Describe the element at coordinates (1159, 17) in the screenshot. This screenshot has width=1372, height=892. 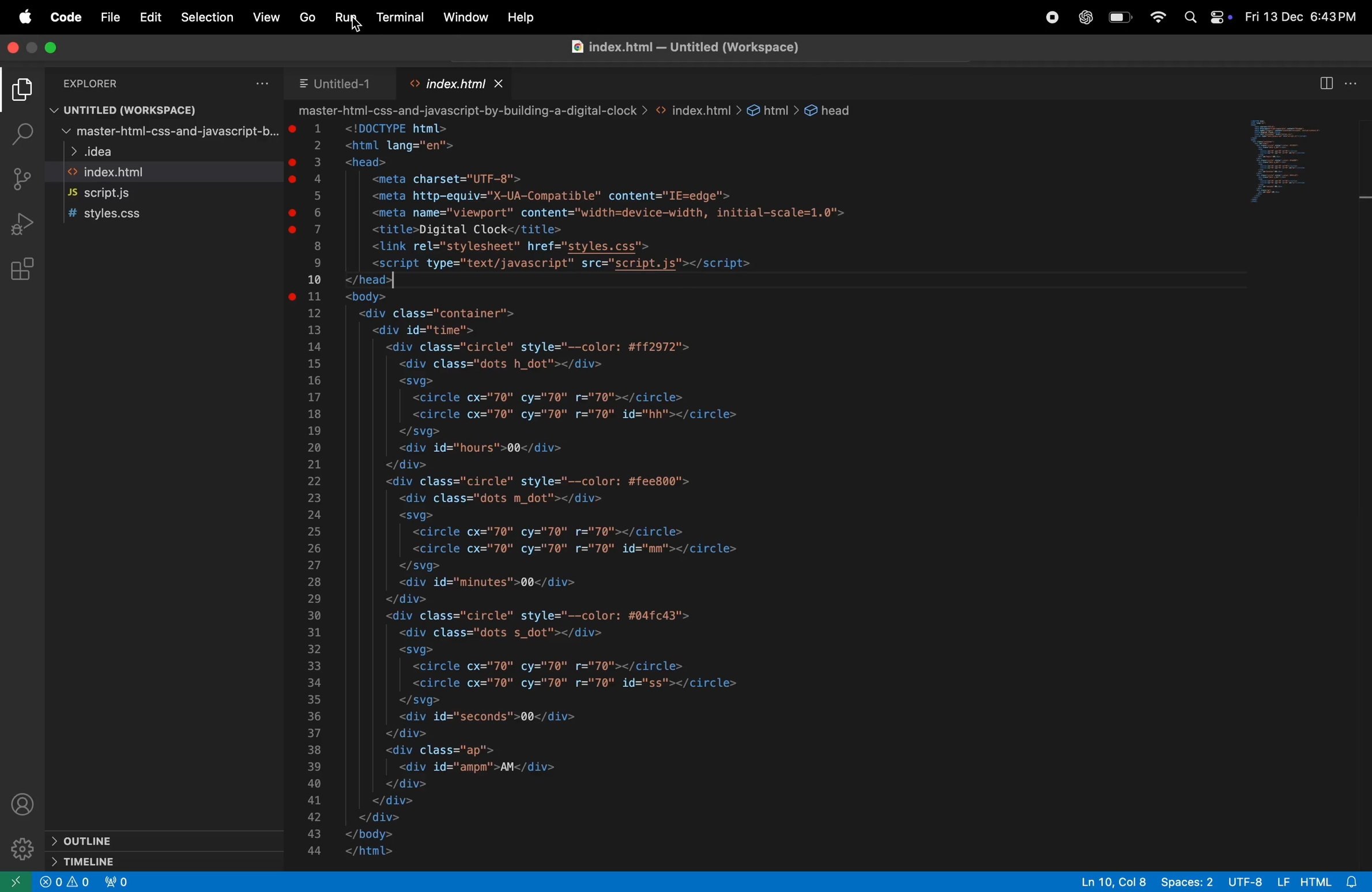
I see `wifi` at that location.